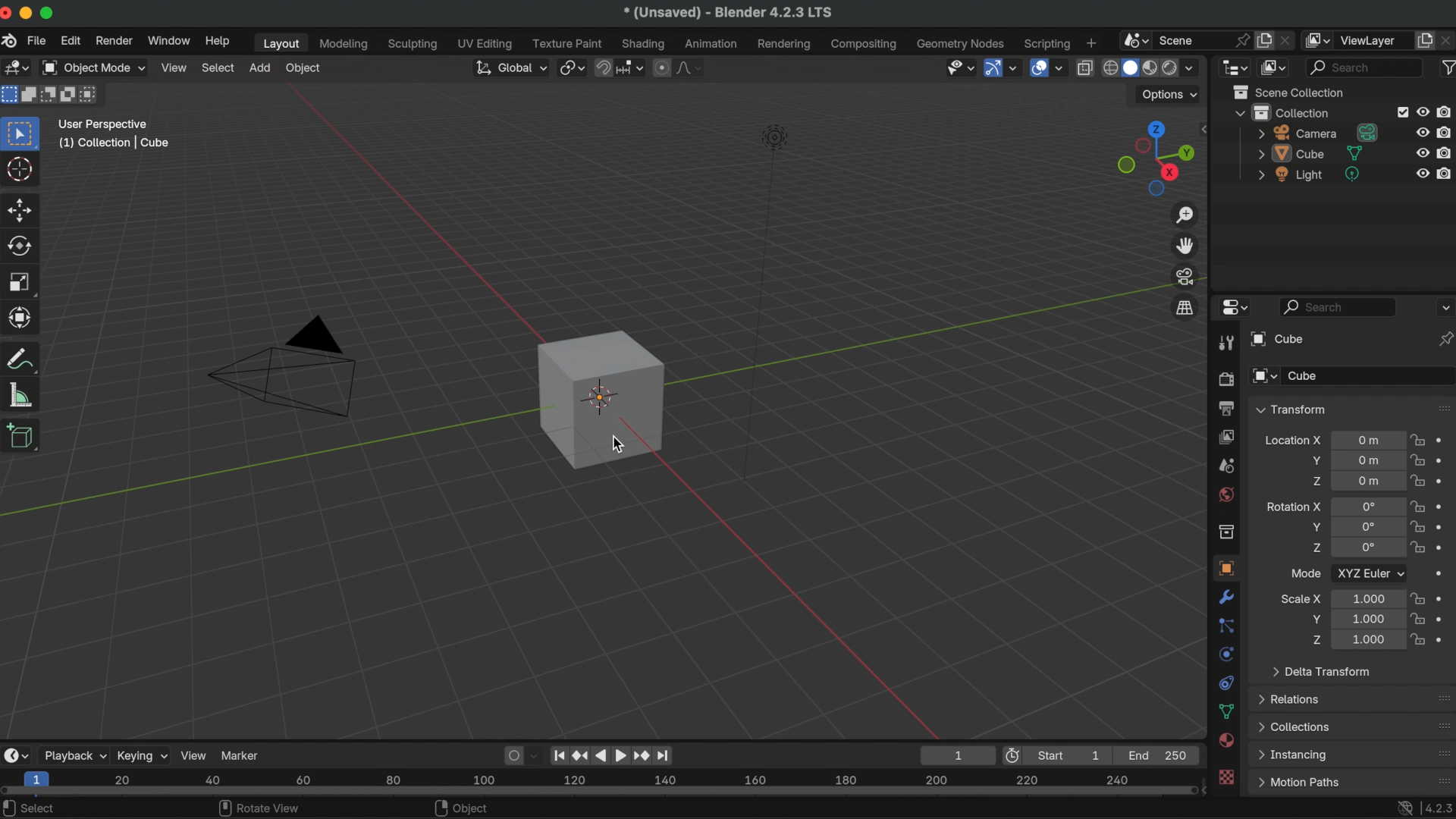 Image resolution: width=1456 pixels, height=819 pixels. What do you see at coordinates (1444, 526) in the screenshot?
I see `animate property` at bounding box center [1444, 526].